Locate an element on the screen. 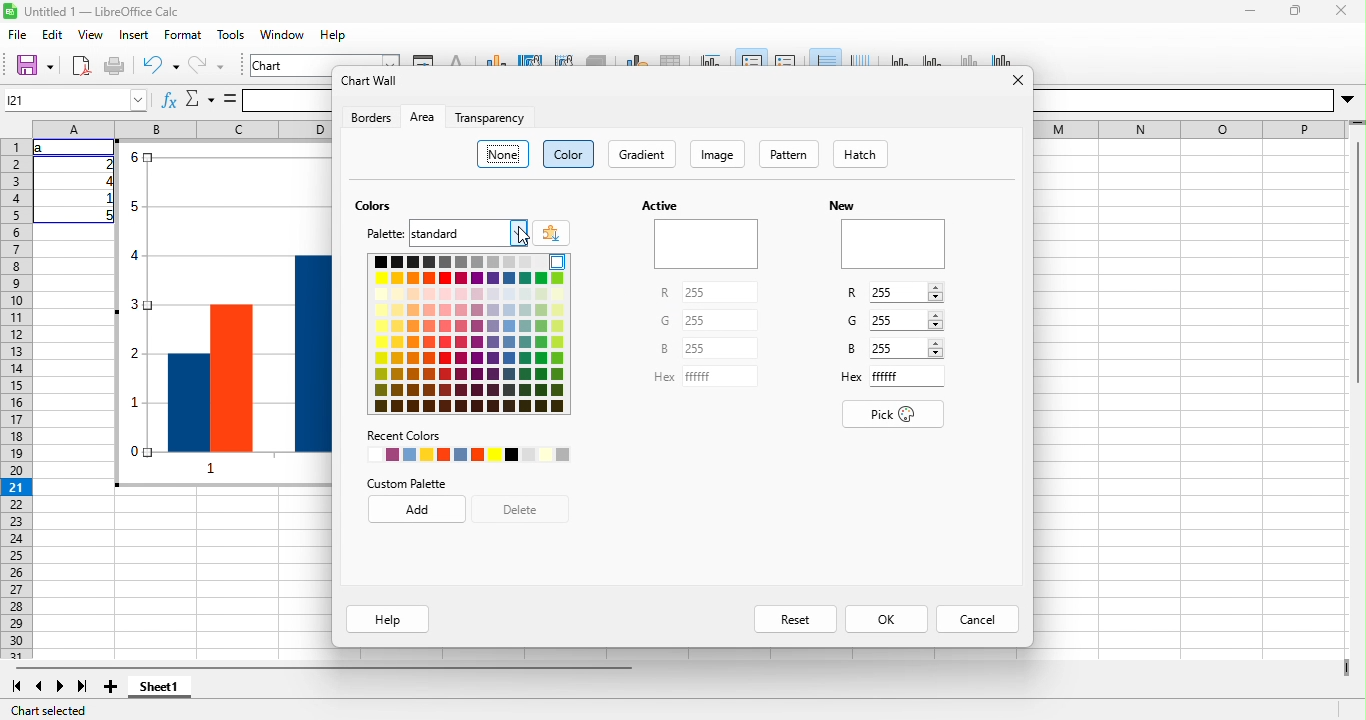  Input for R is located at coordinates (720, 292).